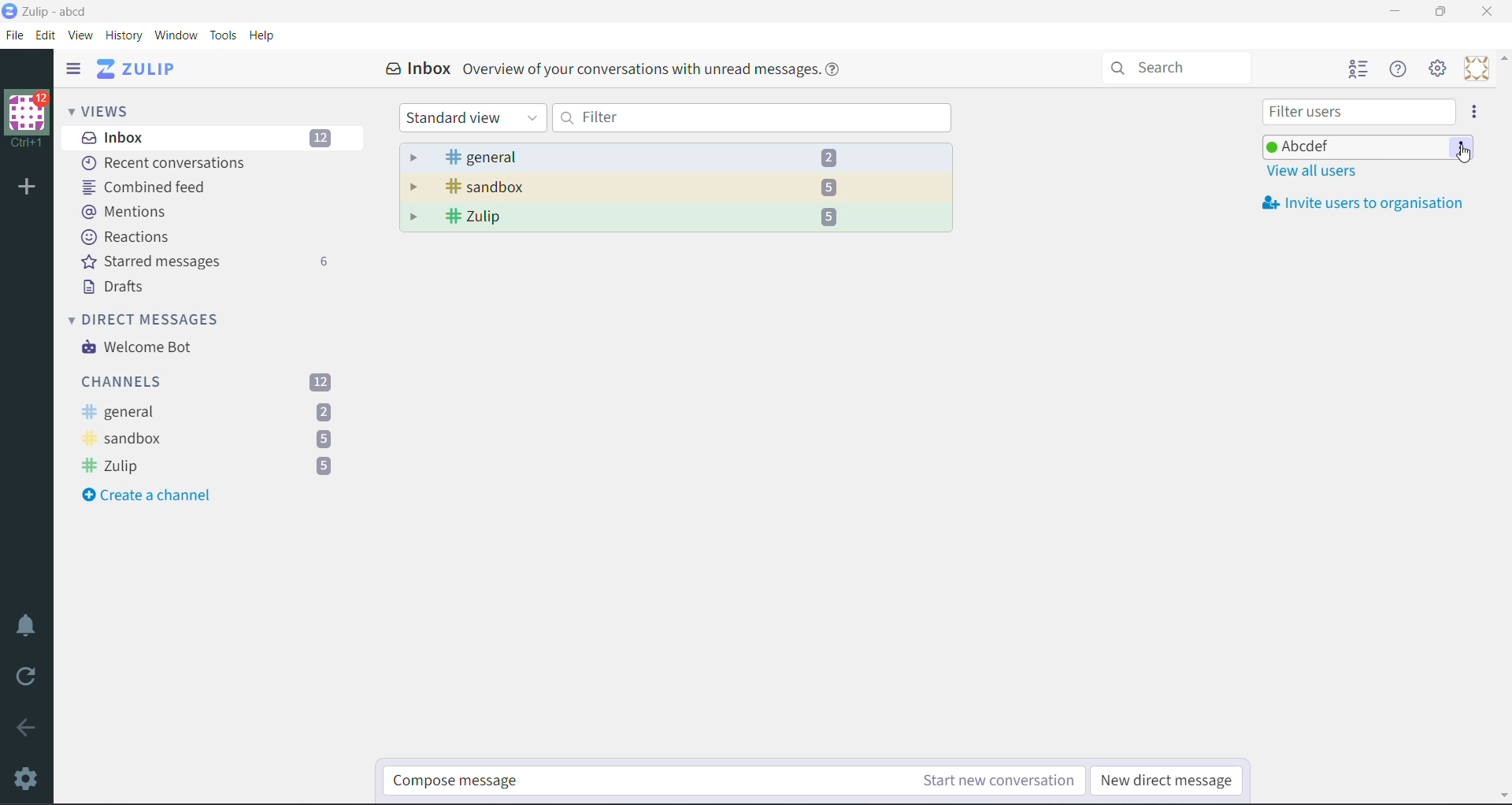 The width and height of the screenshot is (1512, 805). Describe the element at coordinates (73, 69) in the screenshot. I see `Hide Left Sidebar` at that location.